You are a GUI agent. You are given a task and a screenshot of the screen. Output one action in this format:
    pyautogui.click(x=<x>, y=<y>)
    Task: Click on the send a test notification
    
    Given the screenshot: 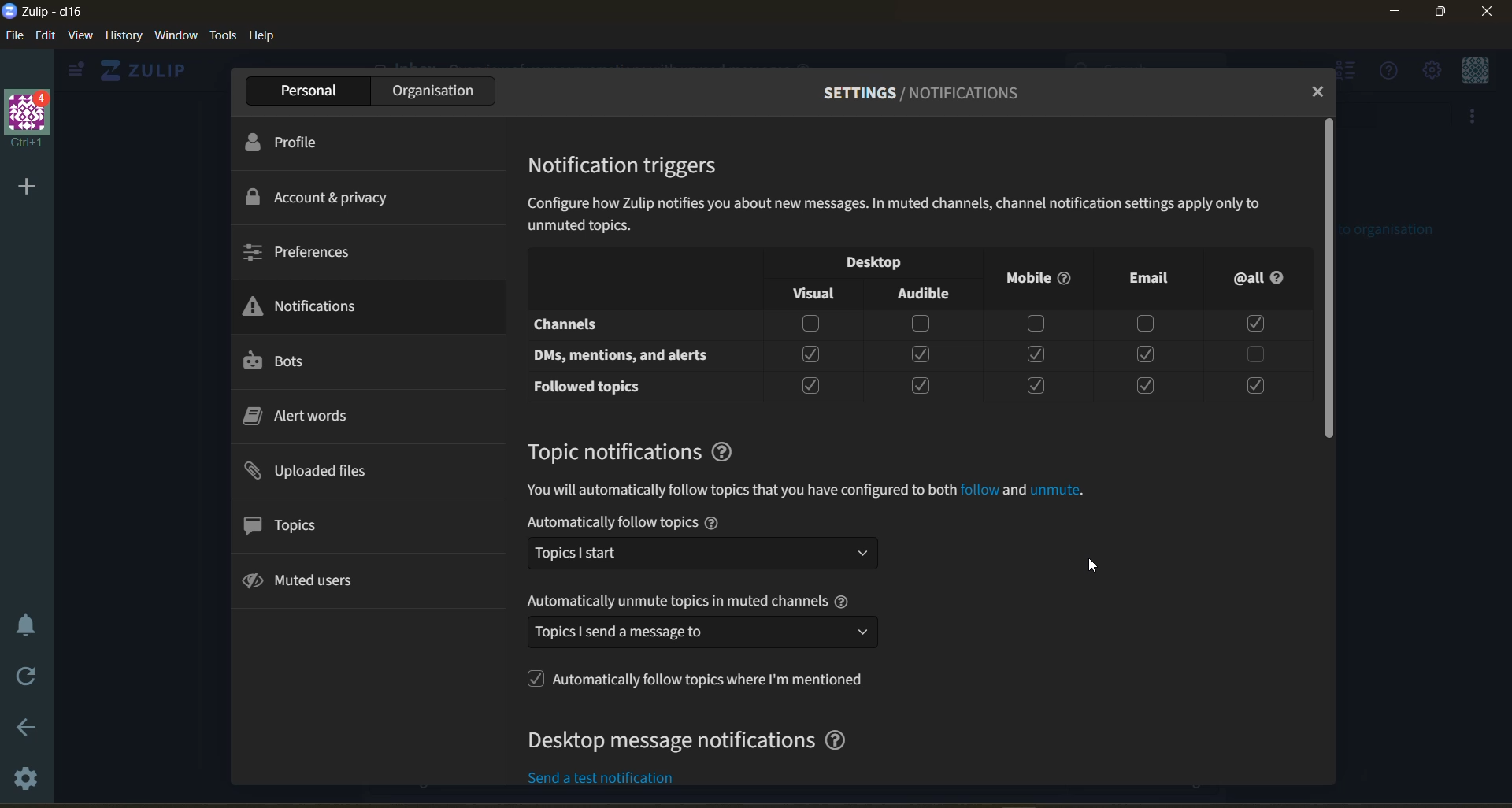 What is the action you would take?
    pyautogui.click(x=618, y=776)
    